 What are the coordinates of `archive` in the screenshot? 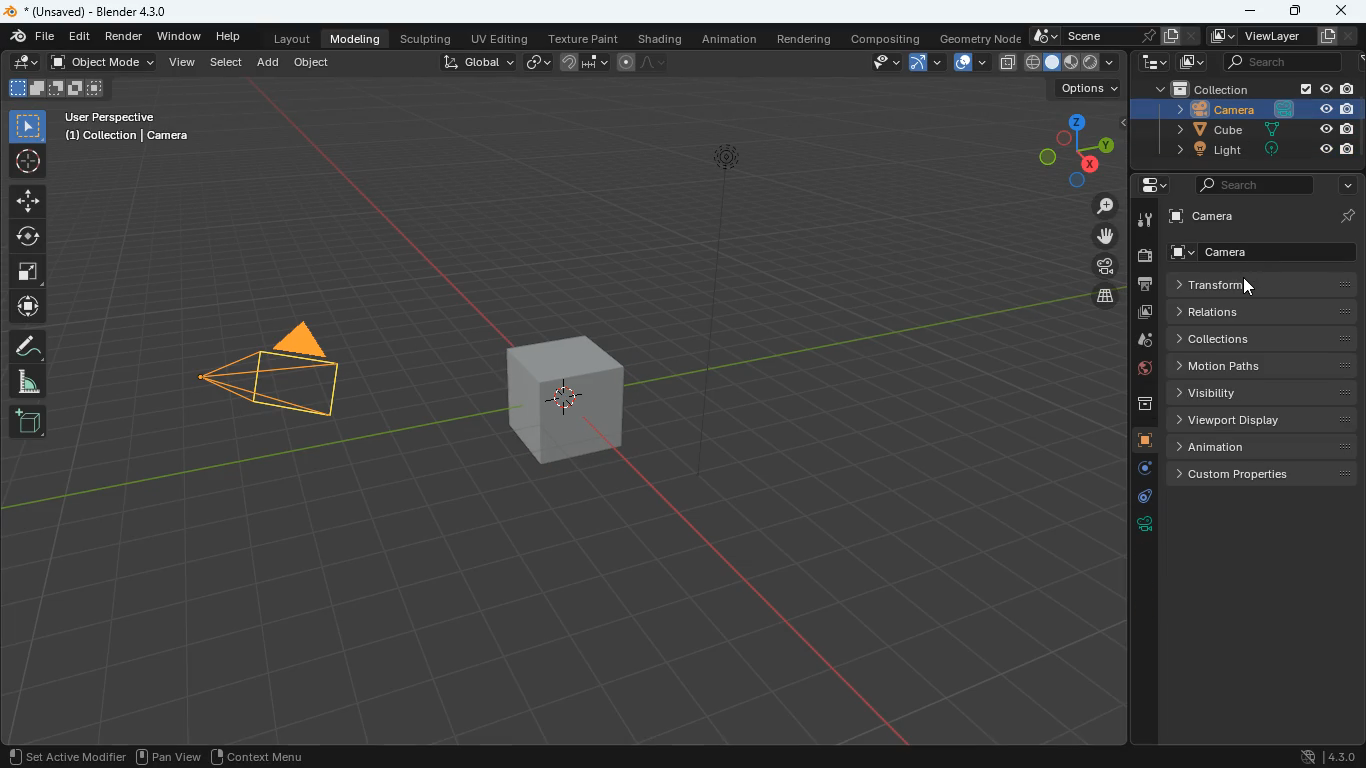 It's located at (1133, 405).